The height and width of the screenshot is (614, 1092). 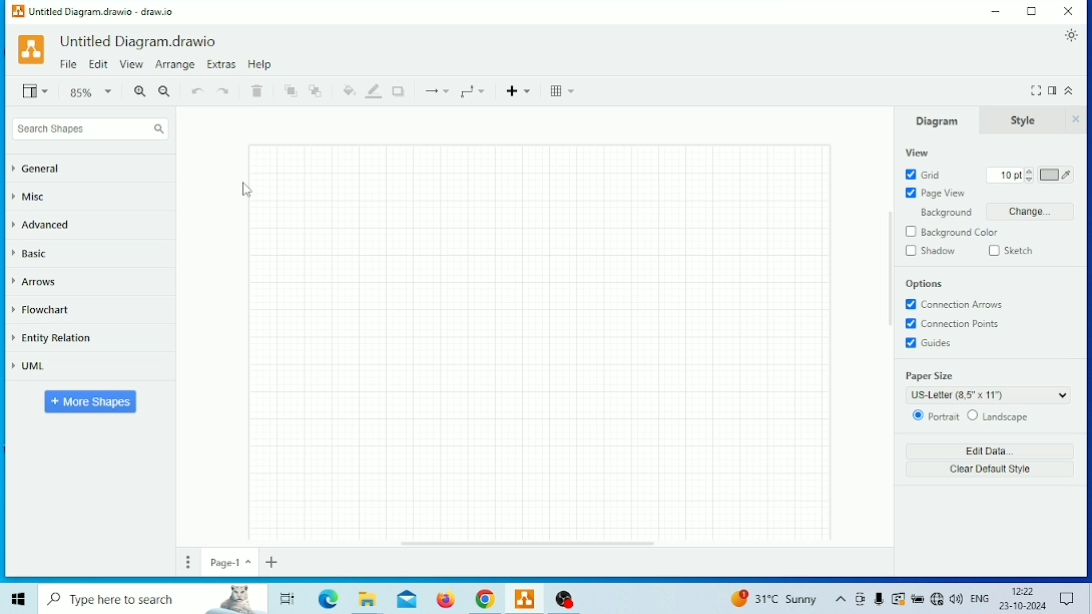 I want to click on Grid color, so click(x=1057, y=175).